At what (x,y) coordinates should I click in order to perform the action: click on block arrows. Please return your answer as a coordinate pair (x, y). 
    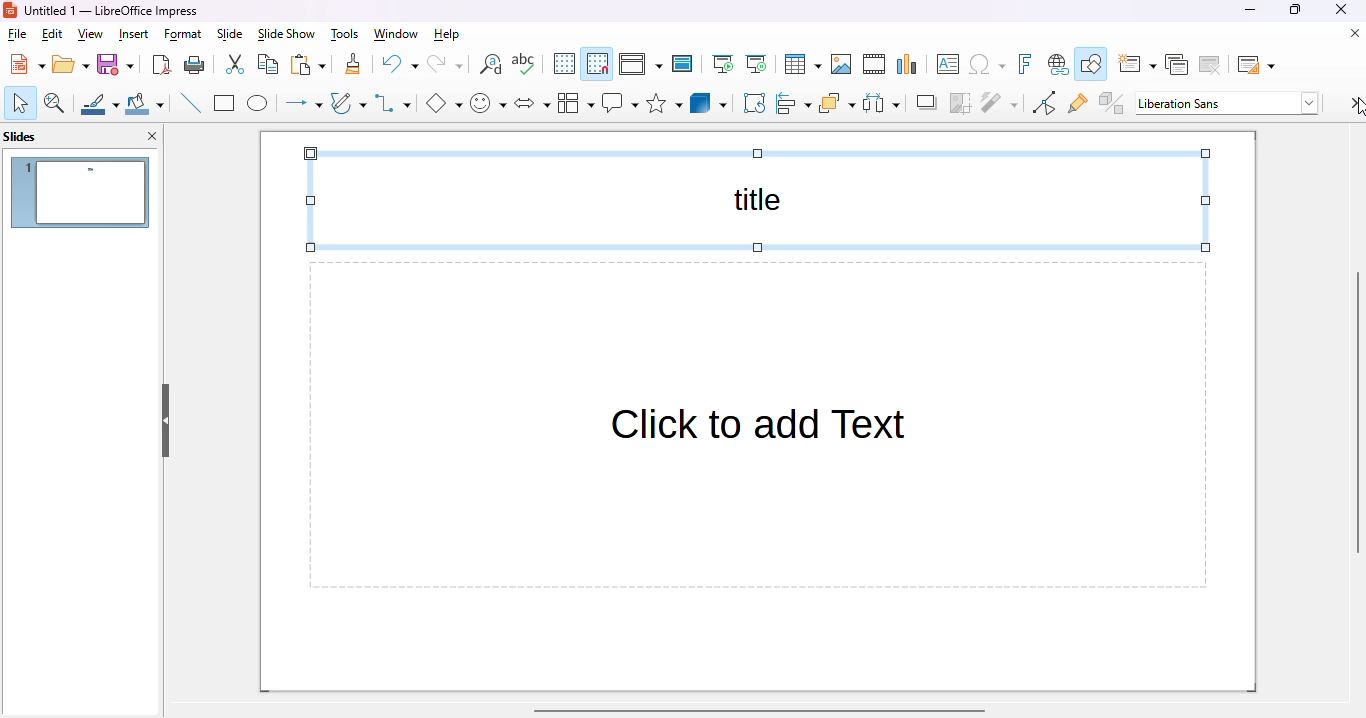
    Looking at the image, I should click on (532, 104).